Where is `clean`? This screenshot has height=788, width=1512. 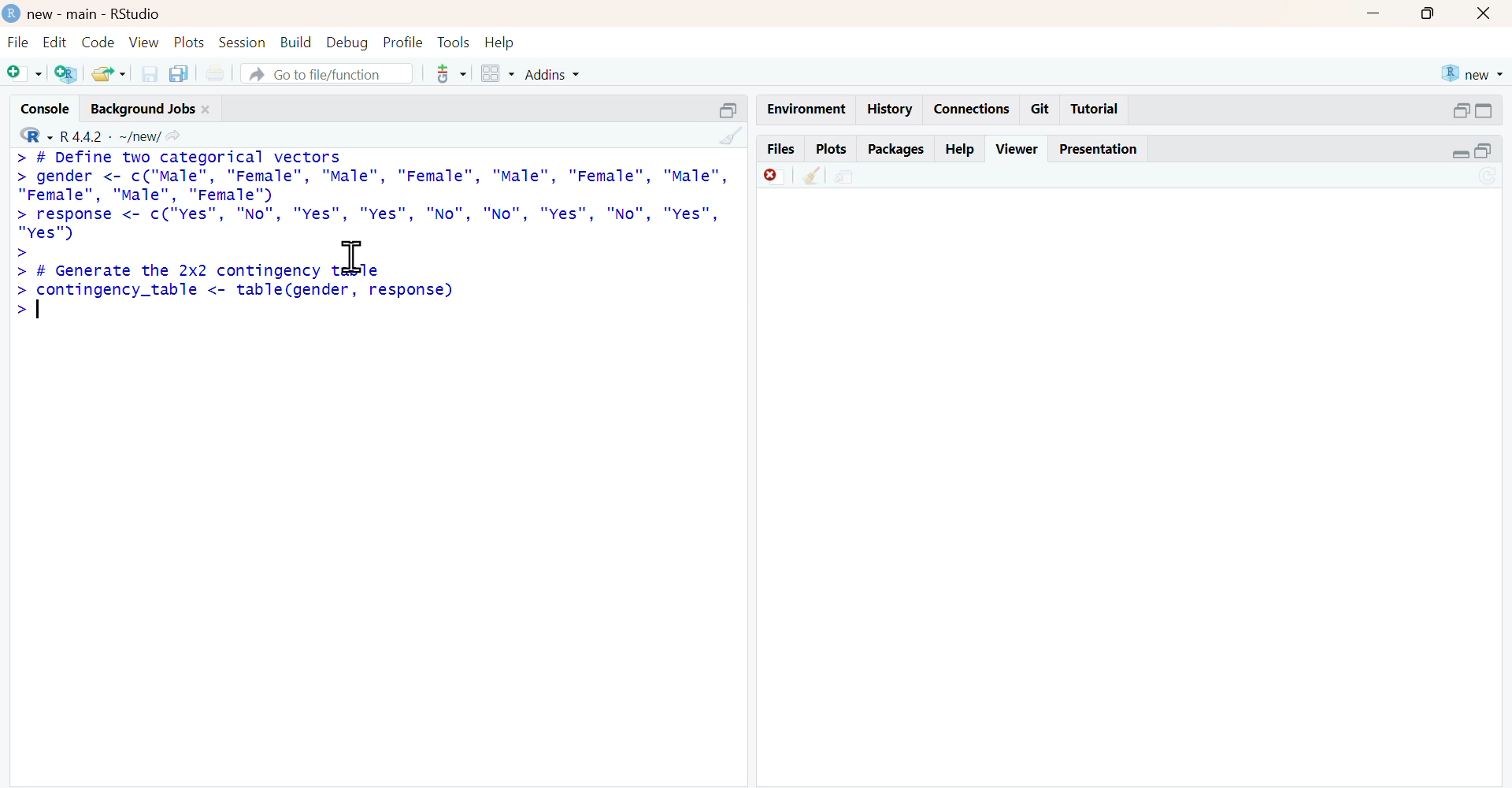 clean is located at coordinates (732, 136).